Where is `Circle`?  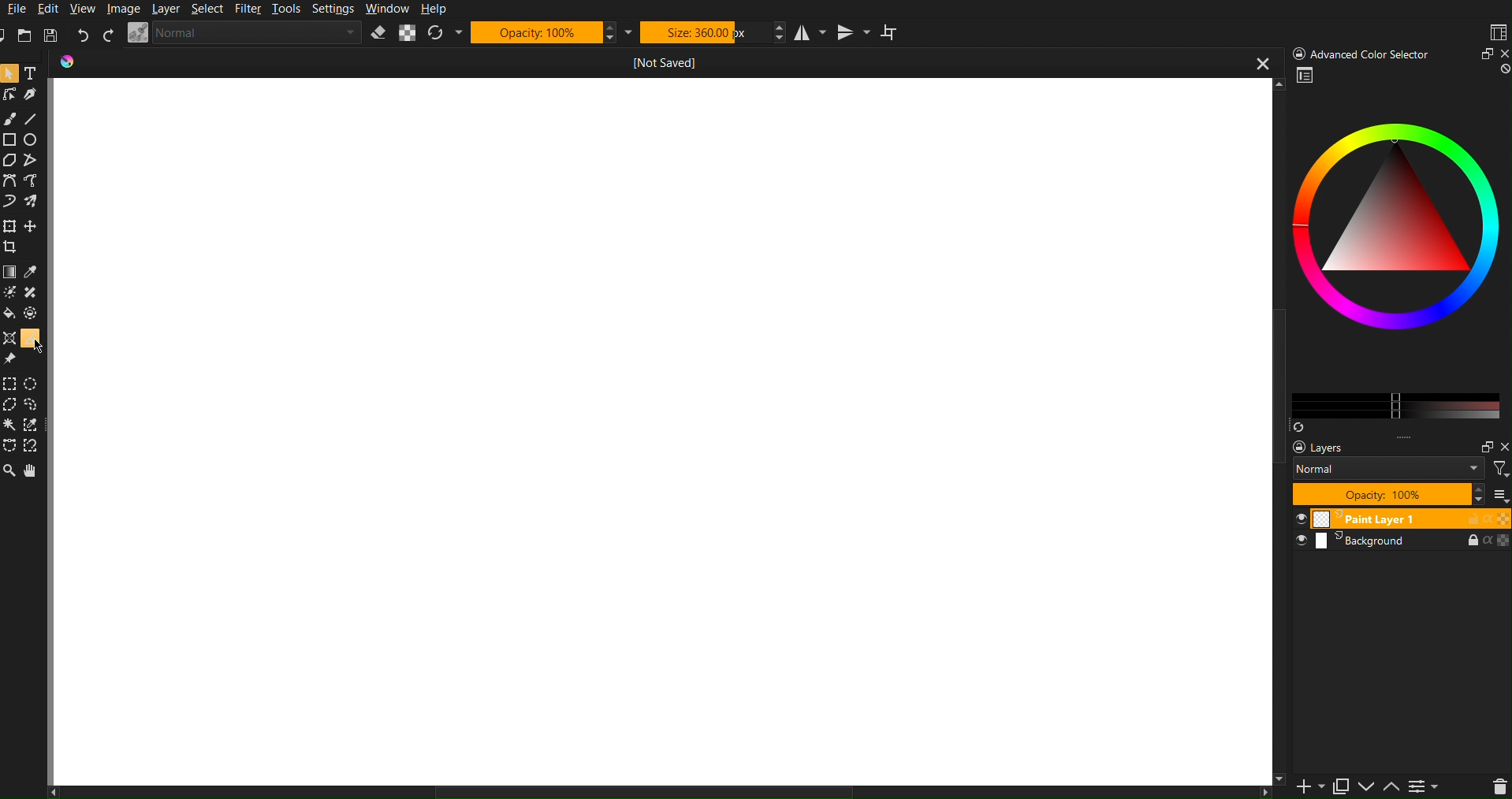 Circle is located at coordinates (33, 139).